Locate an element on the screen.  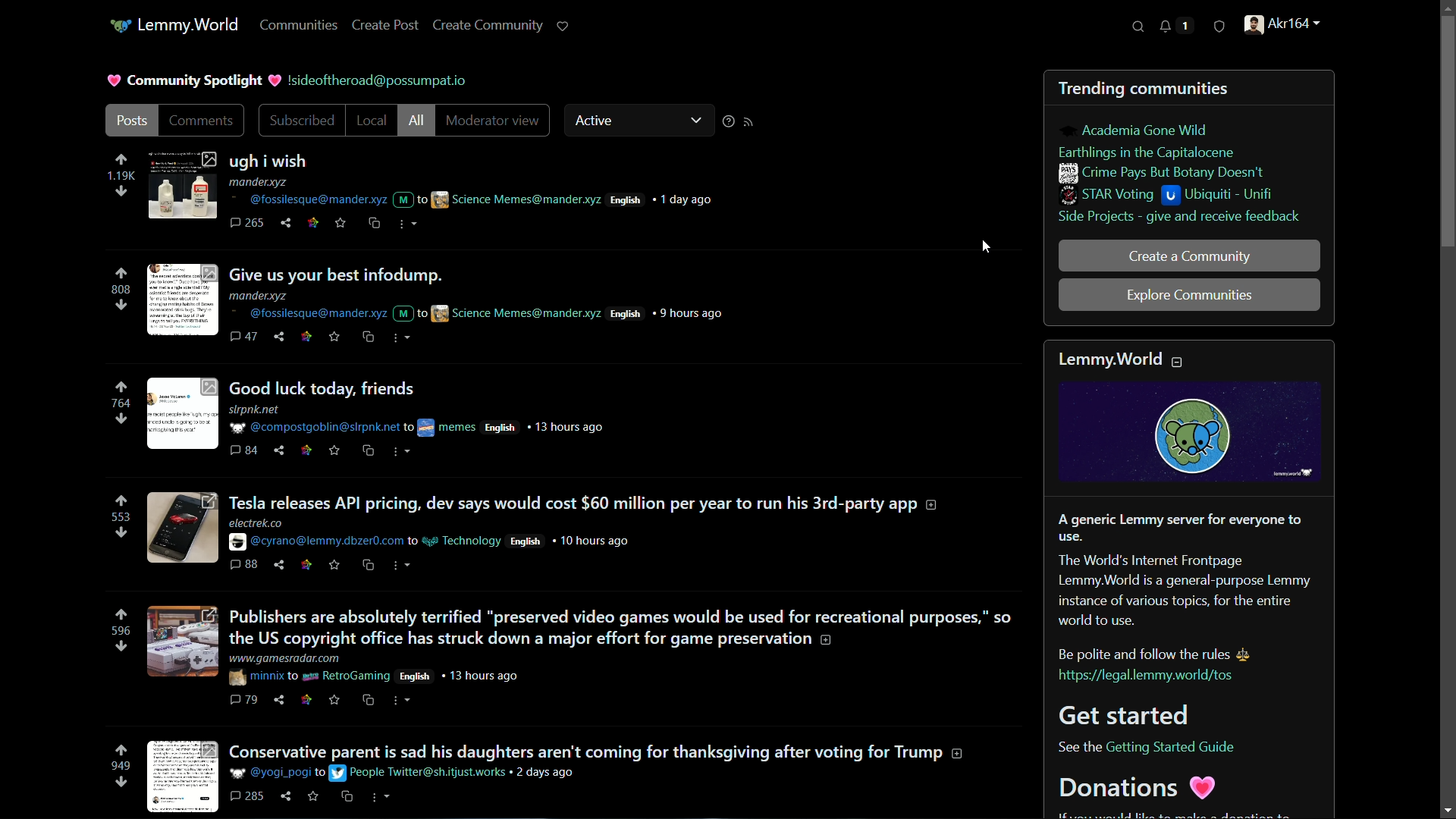
community spotlight is located at coordinates (193, 79).